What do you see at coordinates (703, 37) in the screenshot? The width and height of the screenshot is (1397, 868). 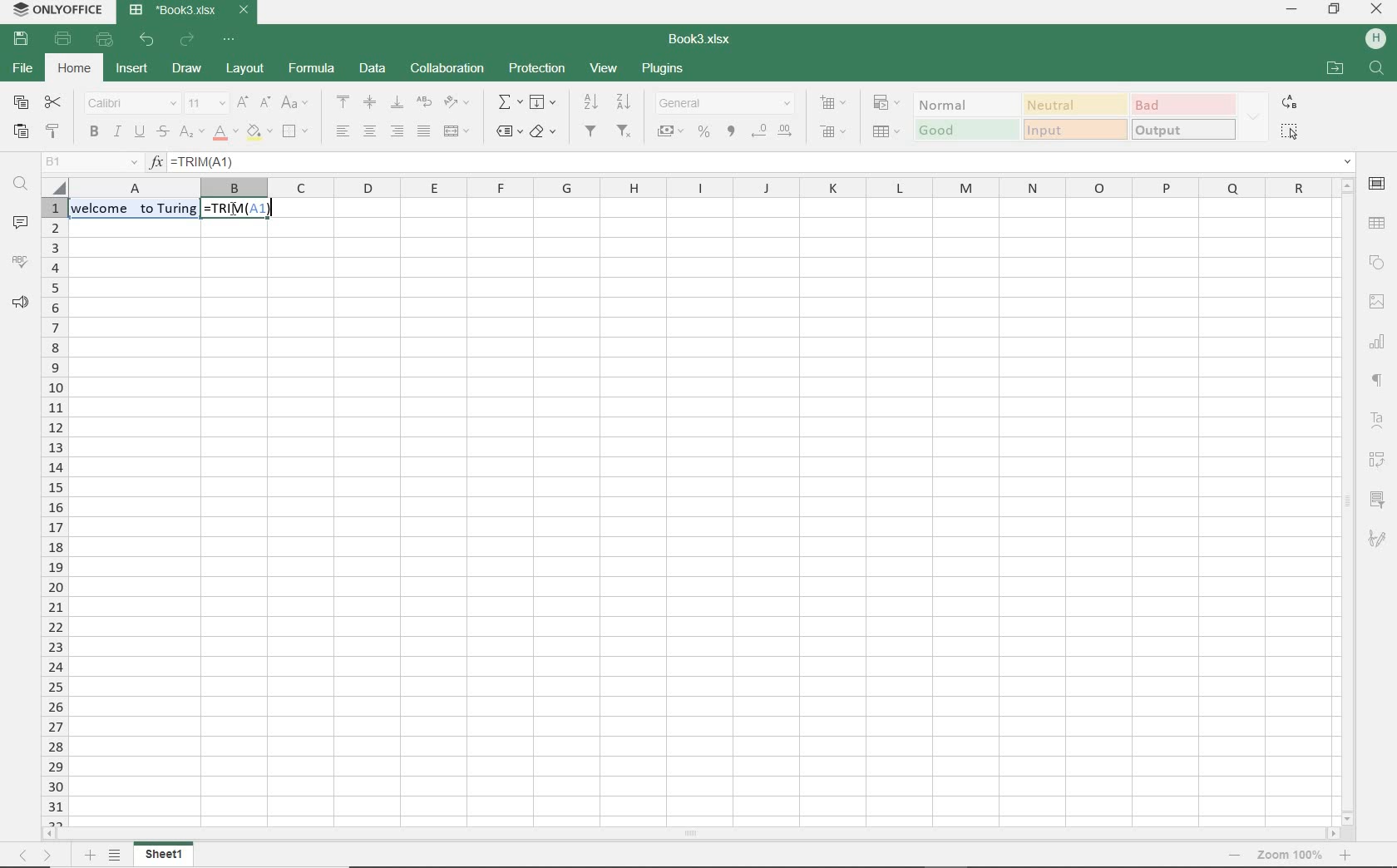 I see `document name` at bounding box center [703, 37].